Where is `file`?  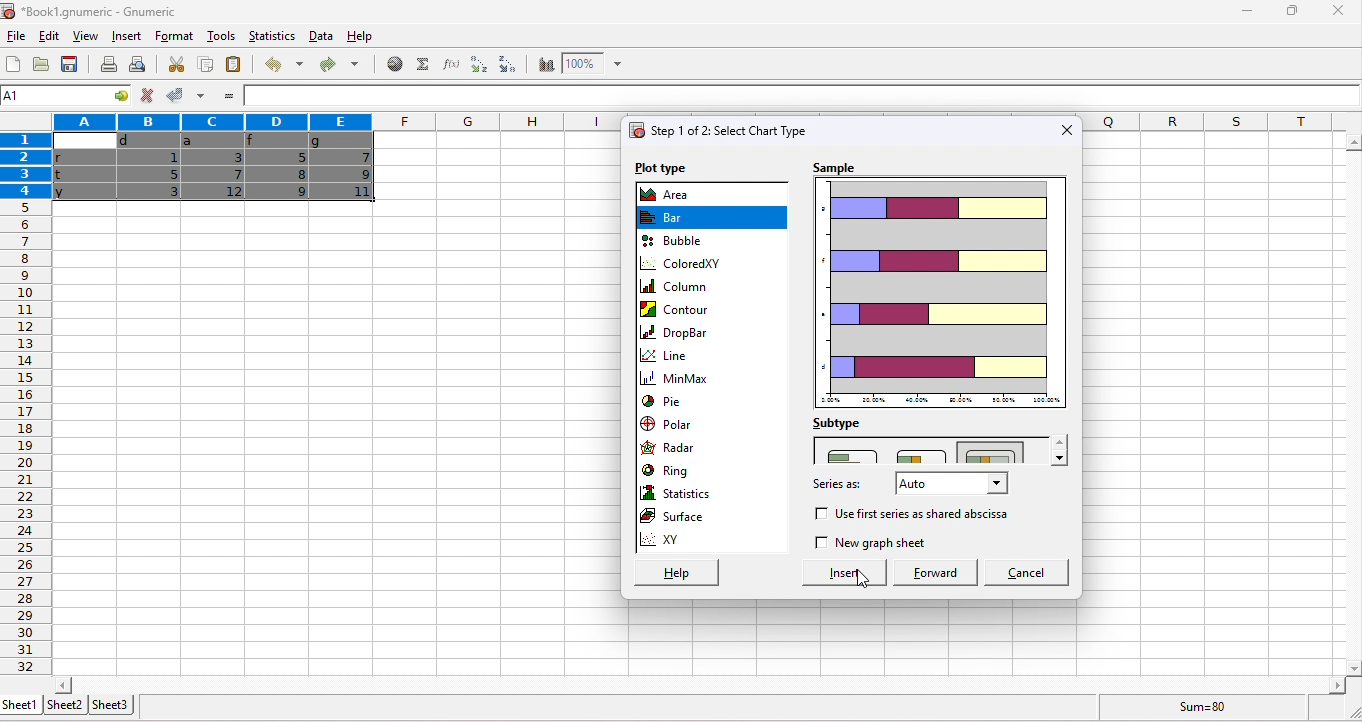 file is located at coordinates (14, 36).